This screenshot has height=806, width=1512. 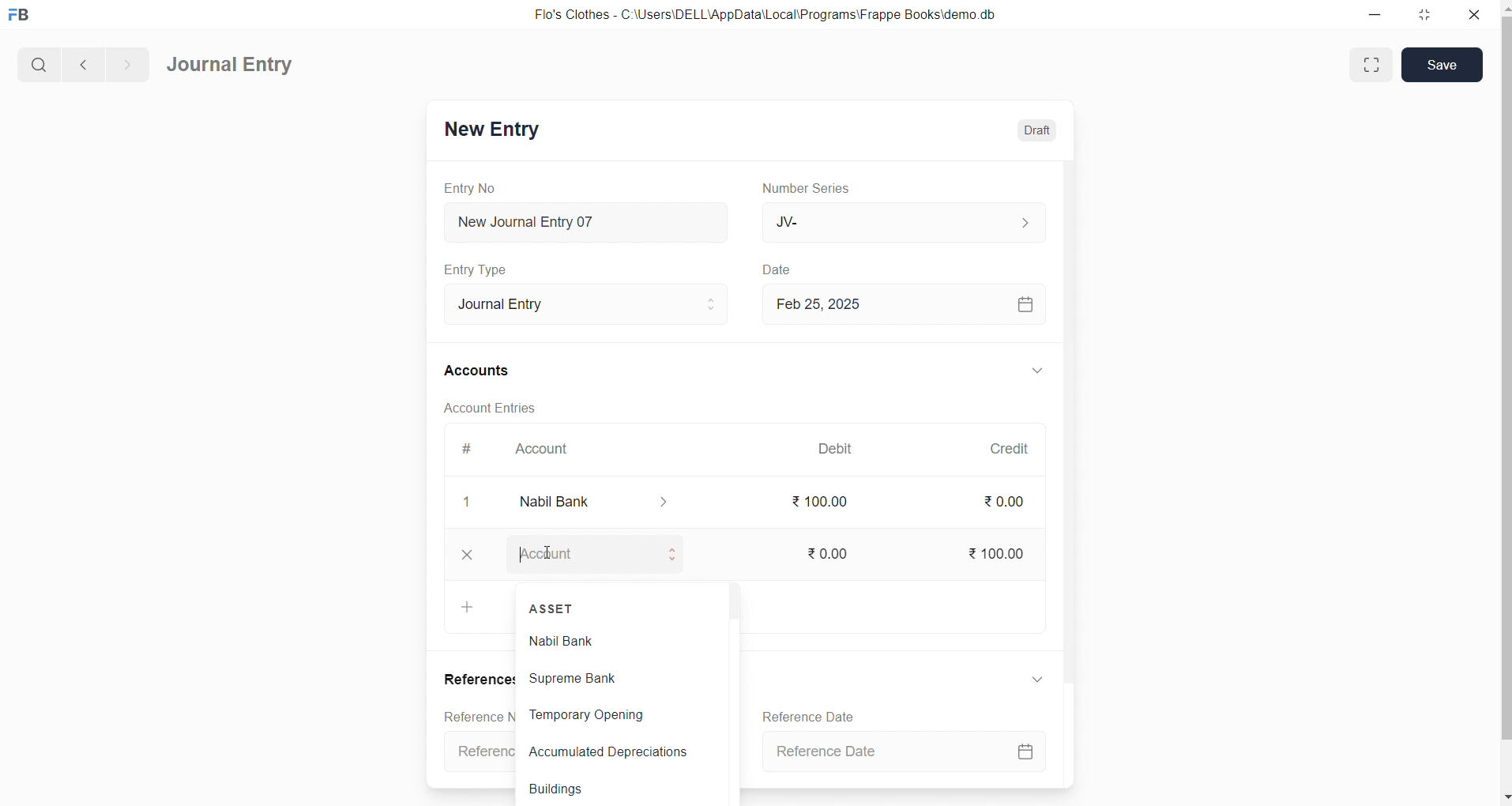 What do you see at coordinates (829, 502) in the screenshot?
I see `₹ 100.00` at bounding box center [829, 502].